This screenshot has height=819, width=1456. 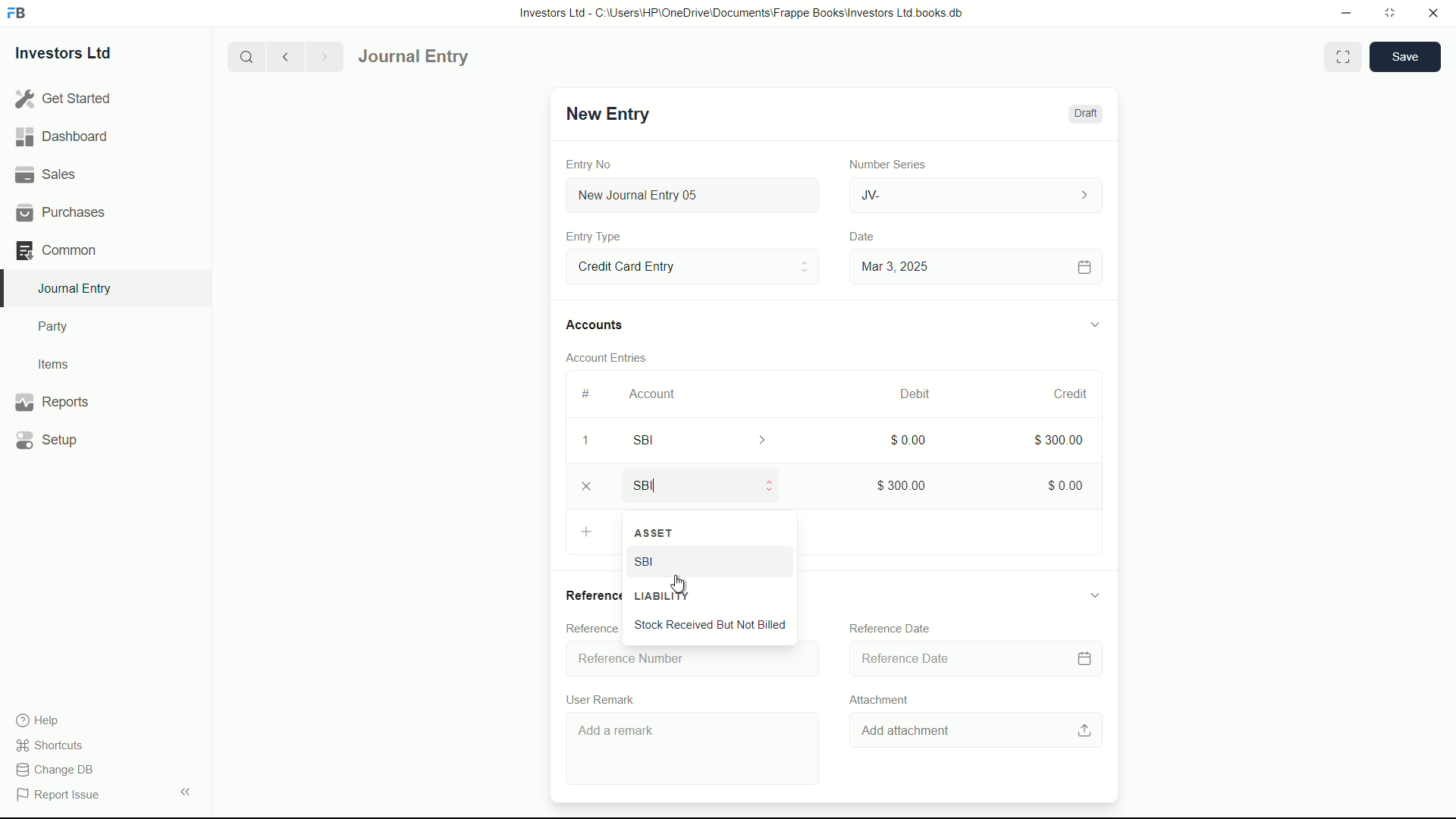 I want to click on Entry Type, so click(x=691, y=265).